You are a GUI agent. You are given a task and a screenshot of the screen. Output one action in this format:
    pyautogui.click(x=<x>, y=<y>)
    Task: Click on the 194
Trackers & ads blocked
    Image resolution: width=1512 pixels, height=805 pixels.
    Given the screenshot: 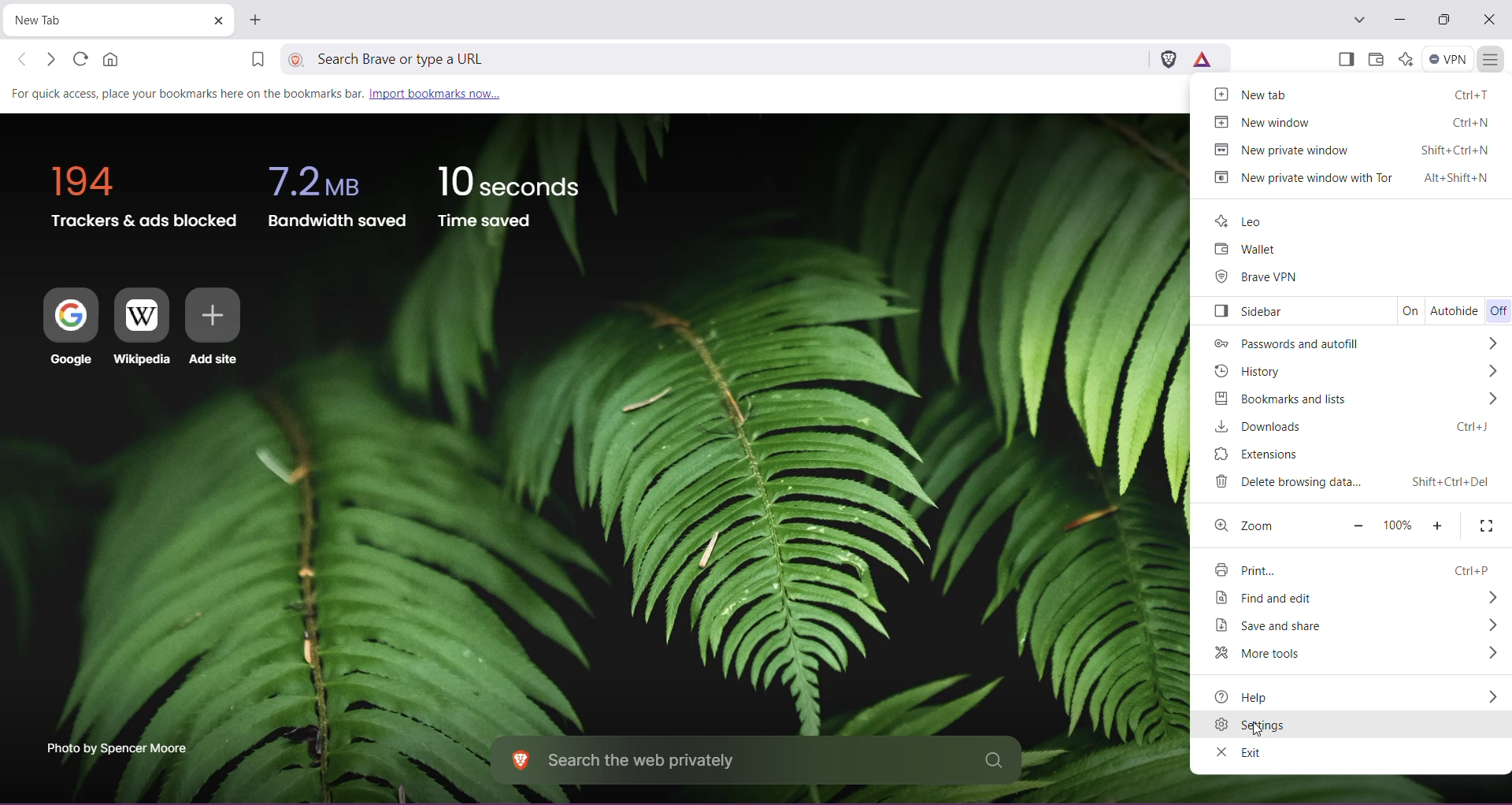 What is the action you would take?
    pyautogui.click(x=138, y=191)
    